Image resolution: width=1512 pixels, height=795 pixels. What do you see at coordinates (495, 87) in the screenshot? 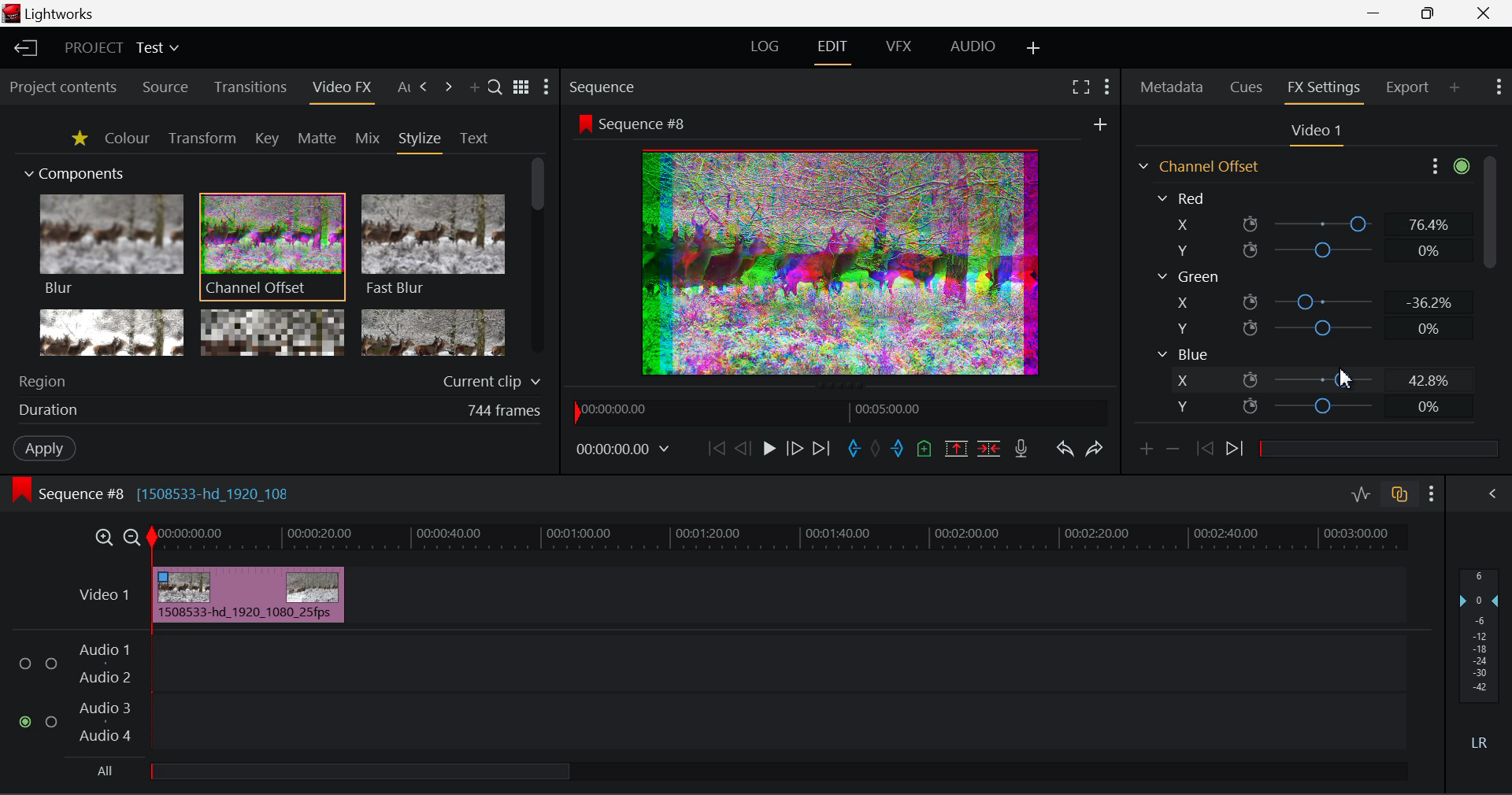
I see `Search` at bounding box center [495, 87].